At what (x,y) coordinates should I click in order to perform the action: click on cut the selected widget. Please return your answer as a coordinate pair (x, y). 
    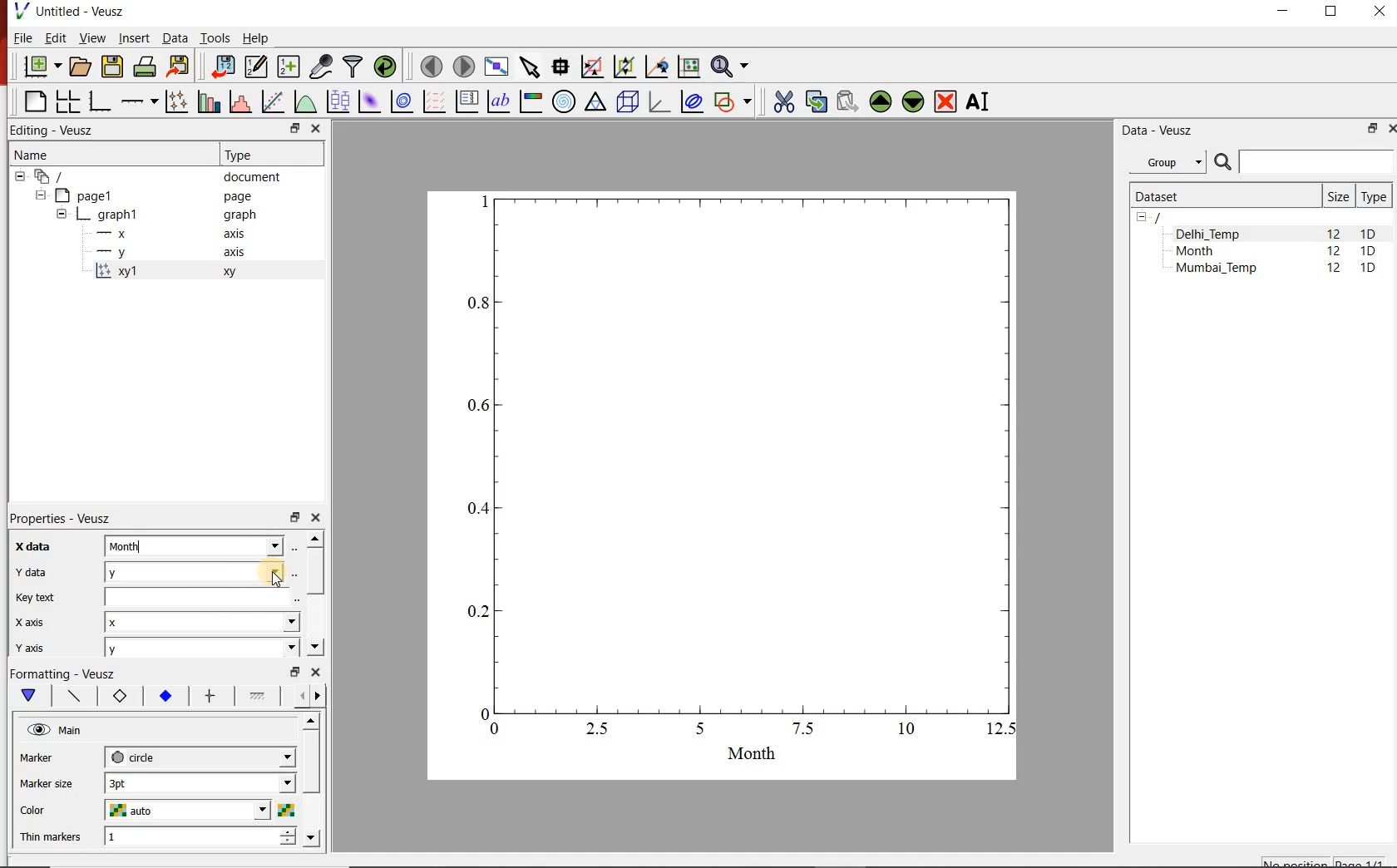
    Looking at the image, I should click on (783, 101).